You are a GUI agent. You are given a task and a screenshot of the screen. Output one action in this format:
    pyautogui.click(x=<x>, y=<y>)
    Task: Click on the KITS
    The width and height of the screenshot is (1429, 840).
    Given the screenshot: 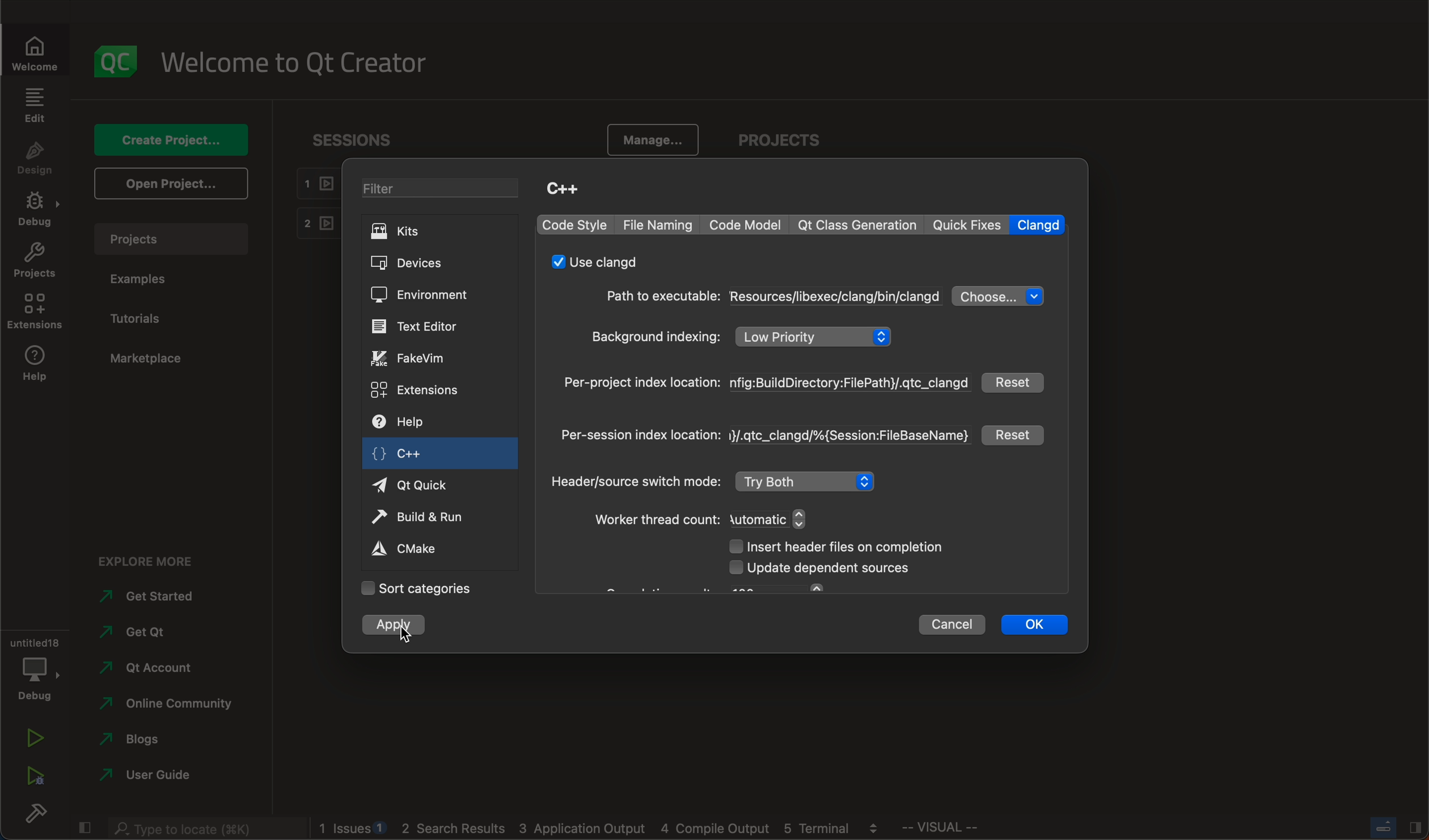 What is the action you would take?
    pyautogui.click(x=425, y=234)
    